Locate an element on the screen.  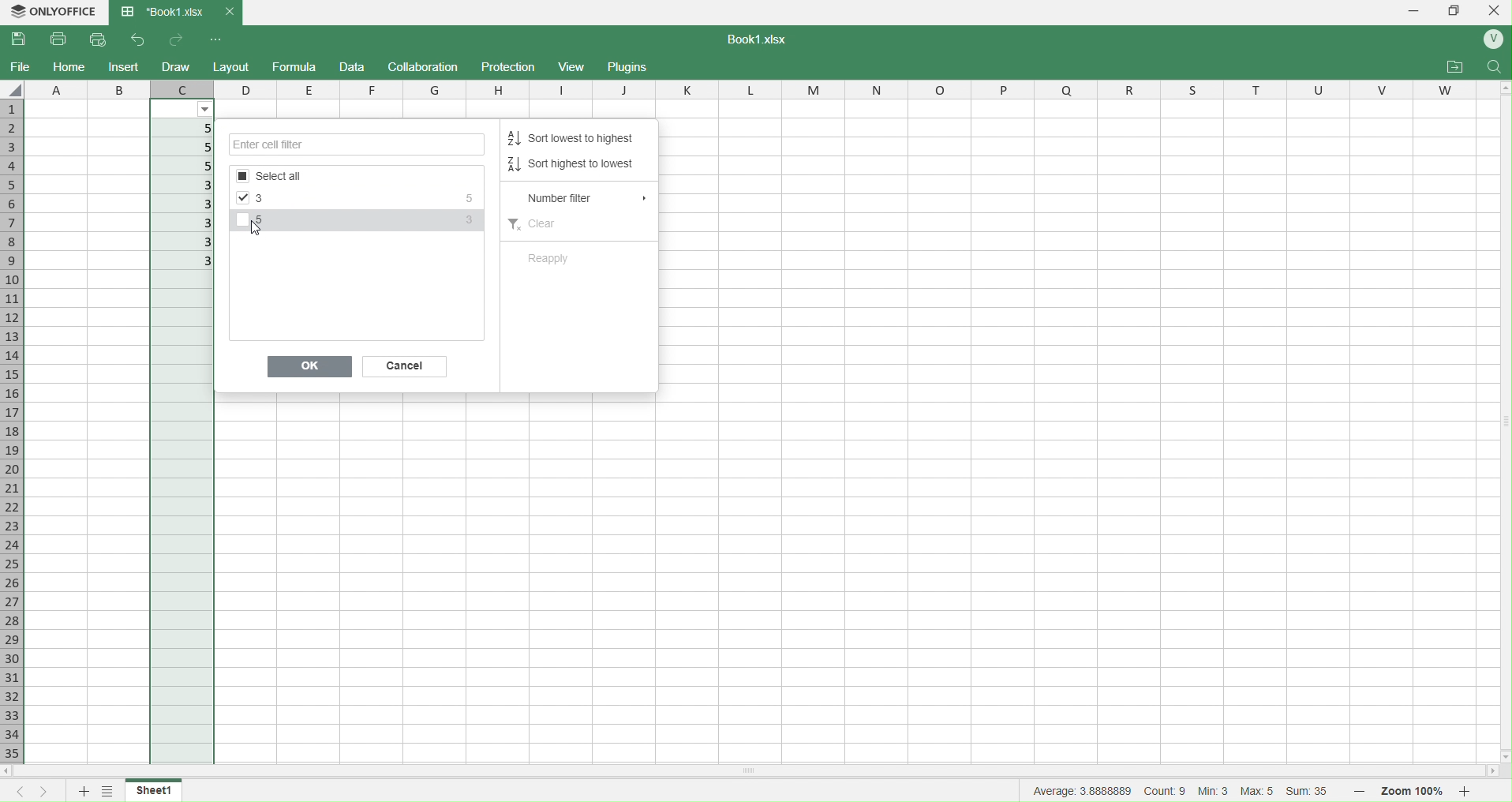
3 is located at coordinates (190, 262).